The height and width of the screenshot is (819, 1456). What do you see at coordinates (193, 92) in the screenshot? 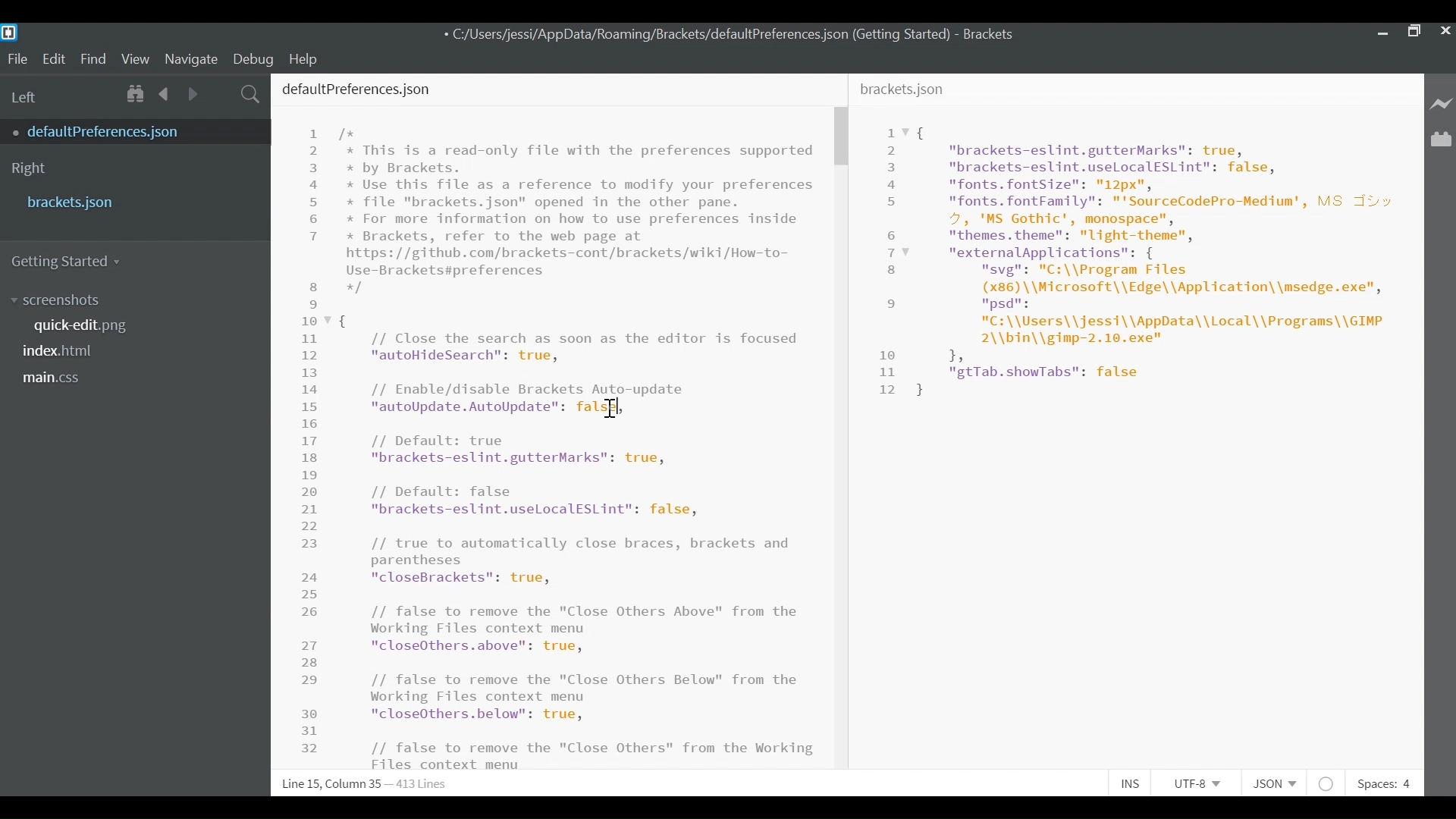
I see `Navigate Forward` at bounding box center [193, 92].